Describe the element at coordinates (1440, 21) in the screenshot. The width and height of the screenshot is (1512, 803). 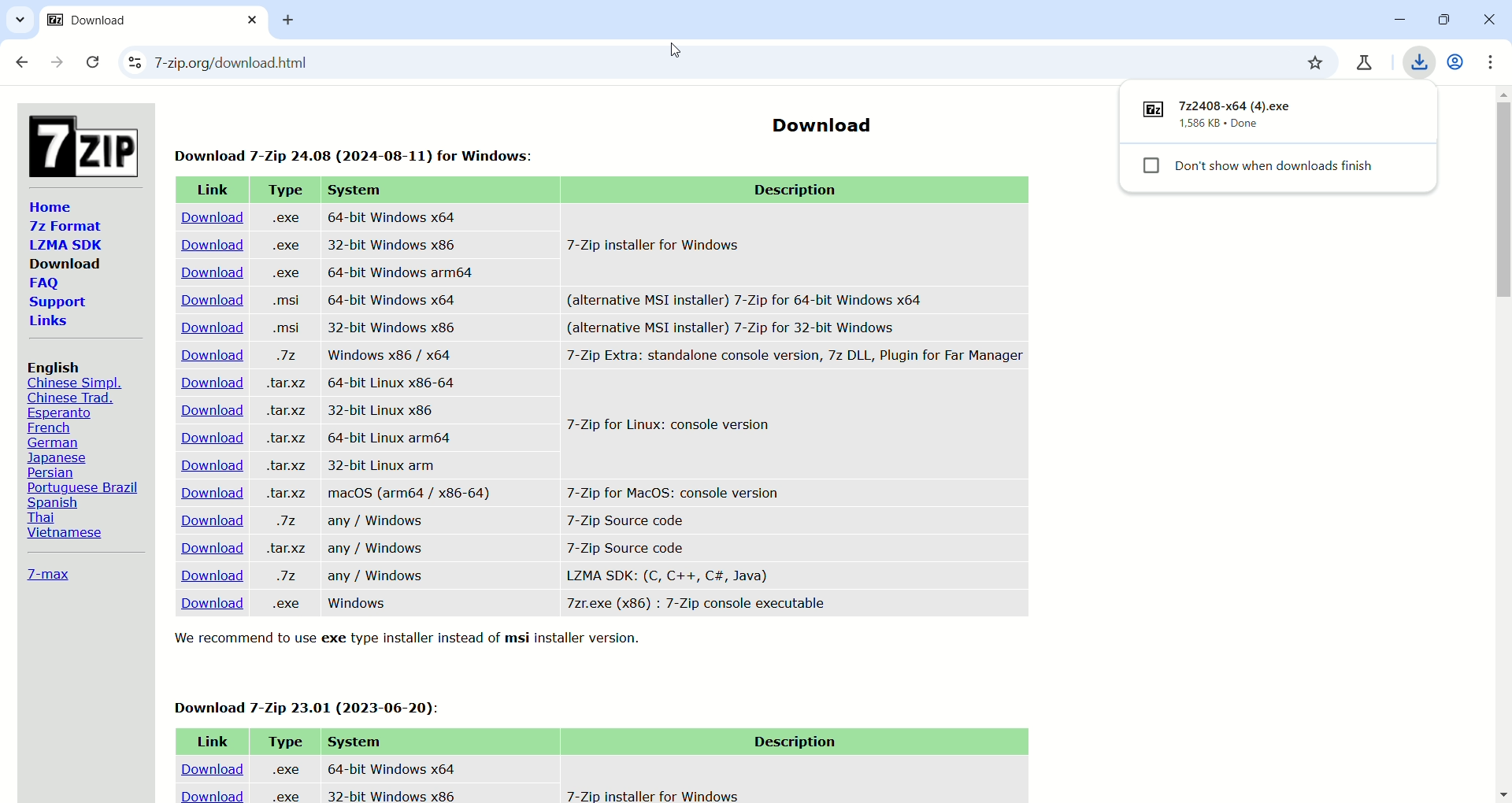
I see `maximize` at that location.